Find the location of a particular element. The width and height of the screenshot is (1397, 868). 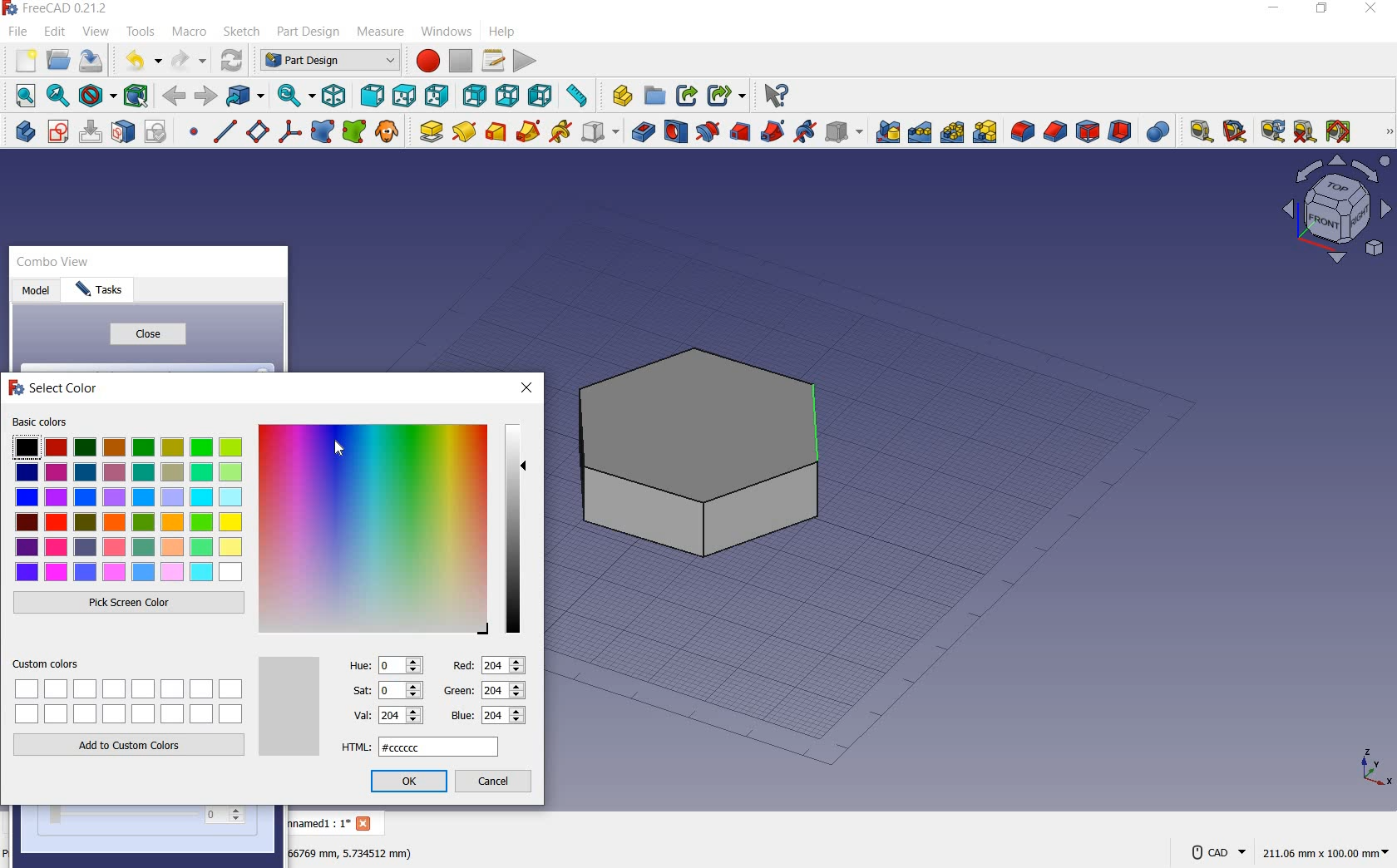

subtractive loft is located at coordinates (742, 134).